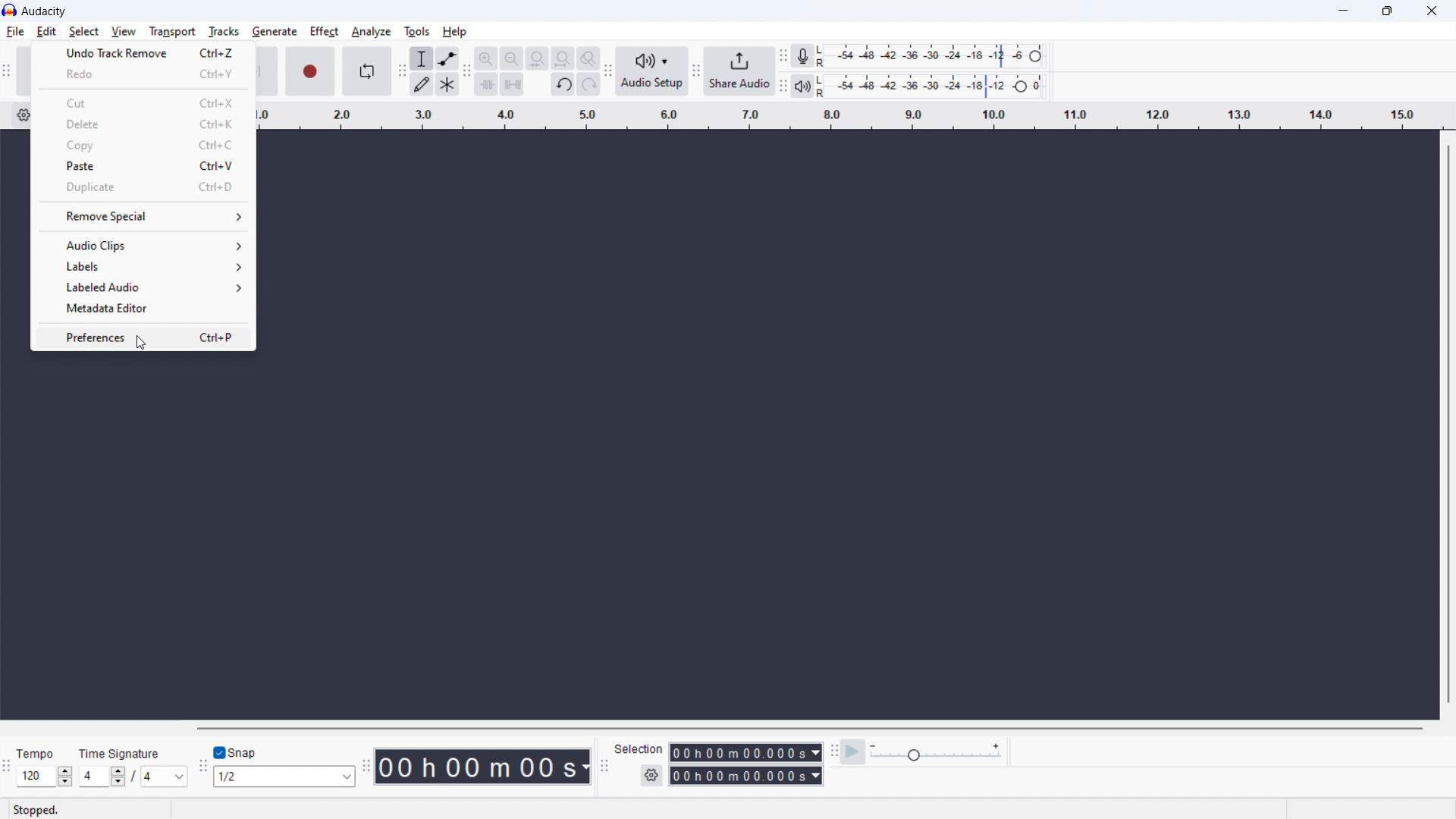 This screenshot has width=1456, height=819. Describe the element at coordinates (486, 83) in the screenshot. I see `trim audio outside selection` at that location.